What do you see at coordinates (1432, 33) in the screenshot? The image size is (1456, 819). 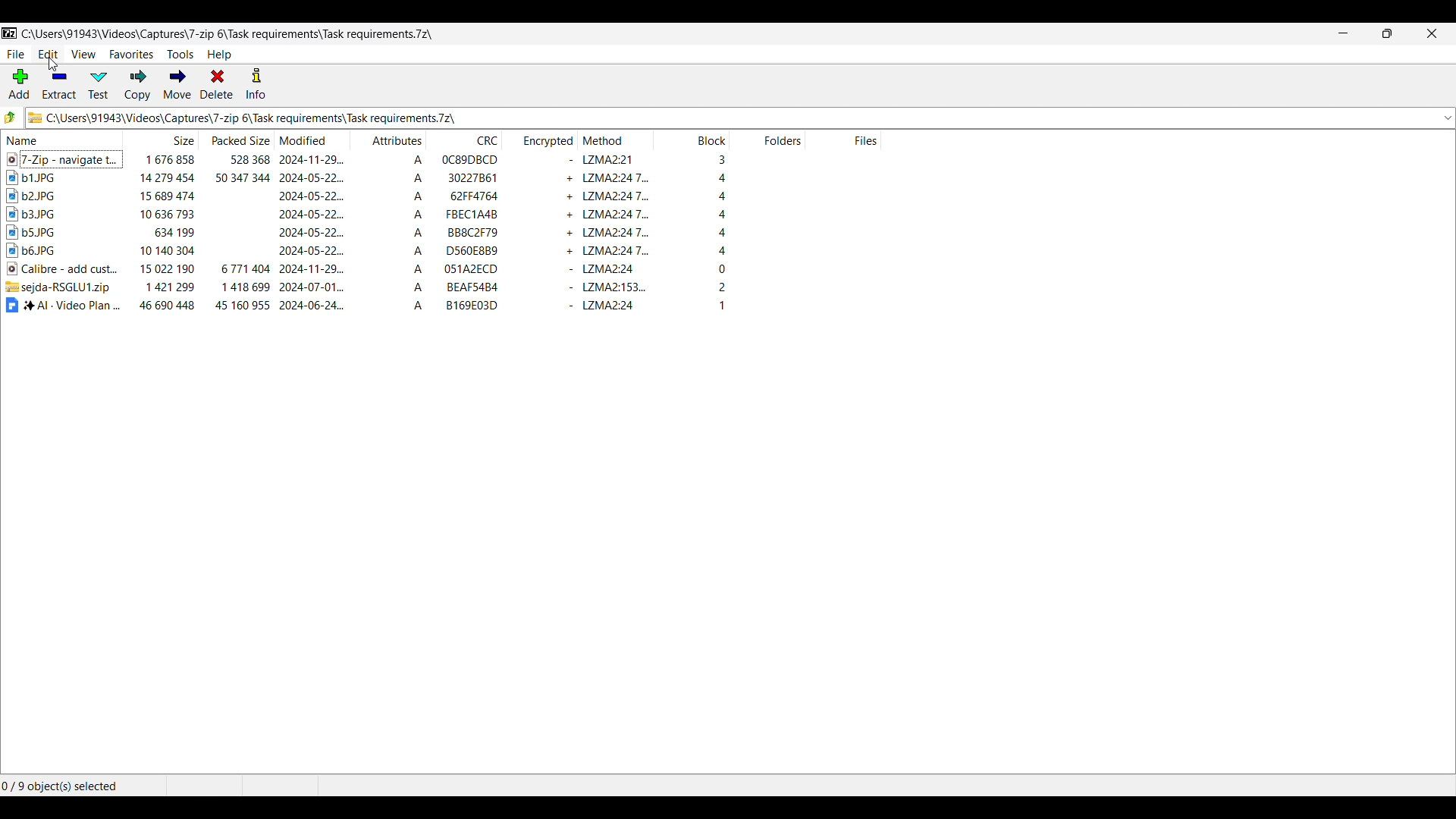 I see `Close interface` at bounding box center [1432, 33].